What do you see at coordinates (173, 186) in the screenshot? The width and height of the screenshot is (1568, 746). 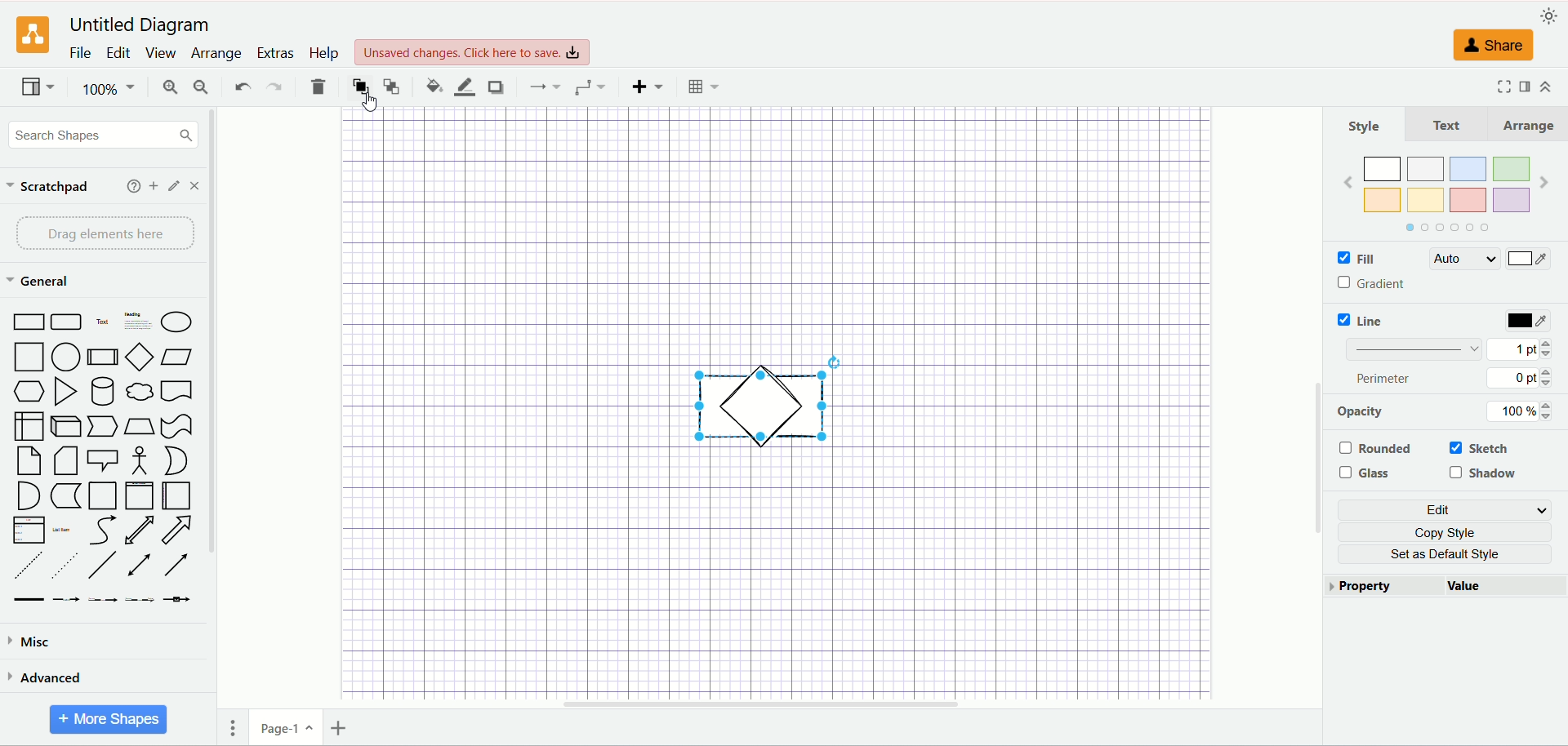 I see `edit` at bounding box center [173, 186].